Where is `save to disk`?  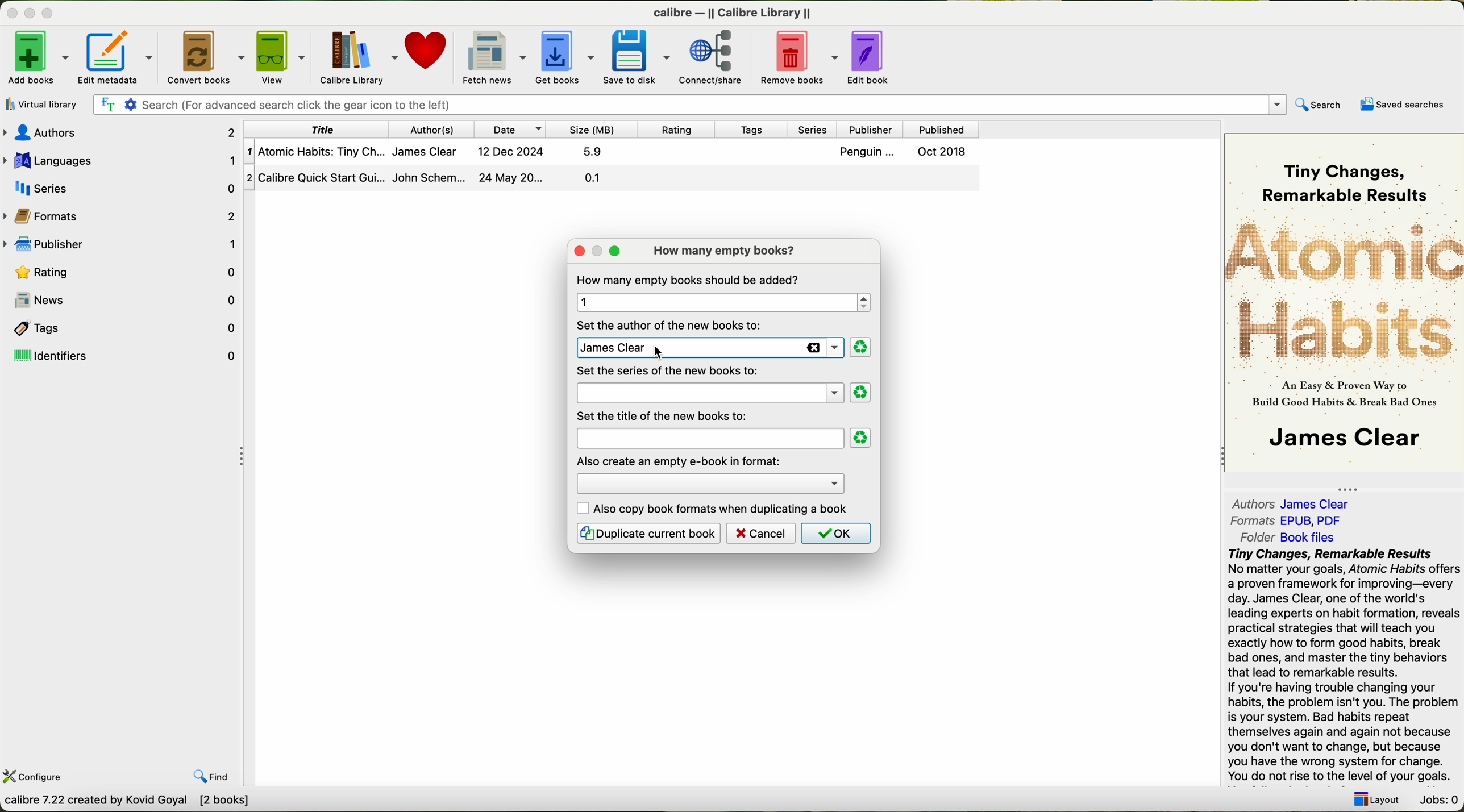 save to disk is located at coordinates (637, 57).